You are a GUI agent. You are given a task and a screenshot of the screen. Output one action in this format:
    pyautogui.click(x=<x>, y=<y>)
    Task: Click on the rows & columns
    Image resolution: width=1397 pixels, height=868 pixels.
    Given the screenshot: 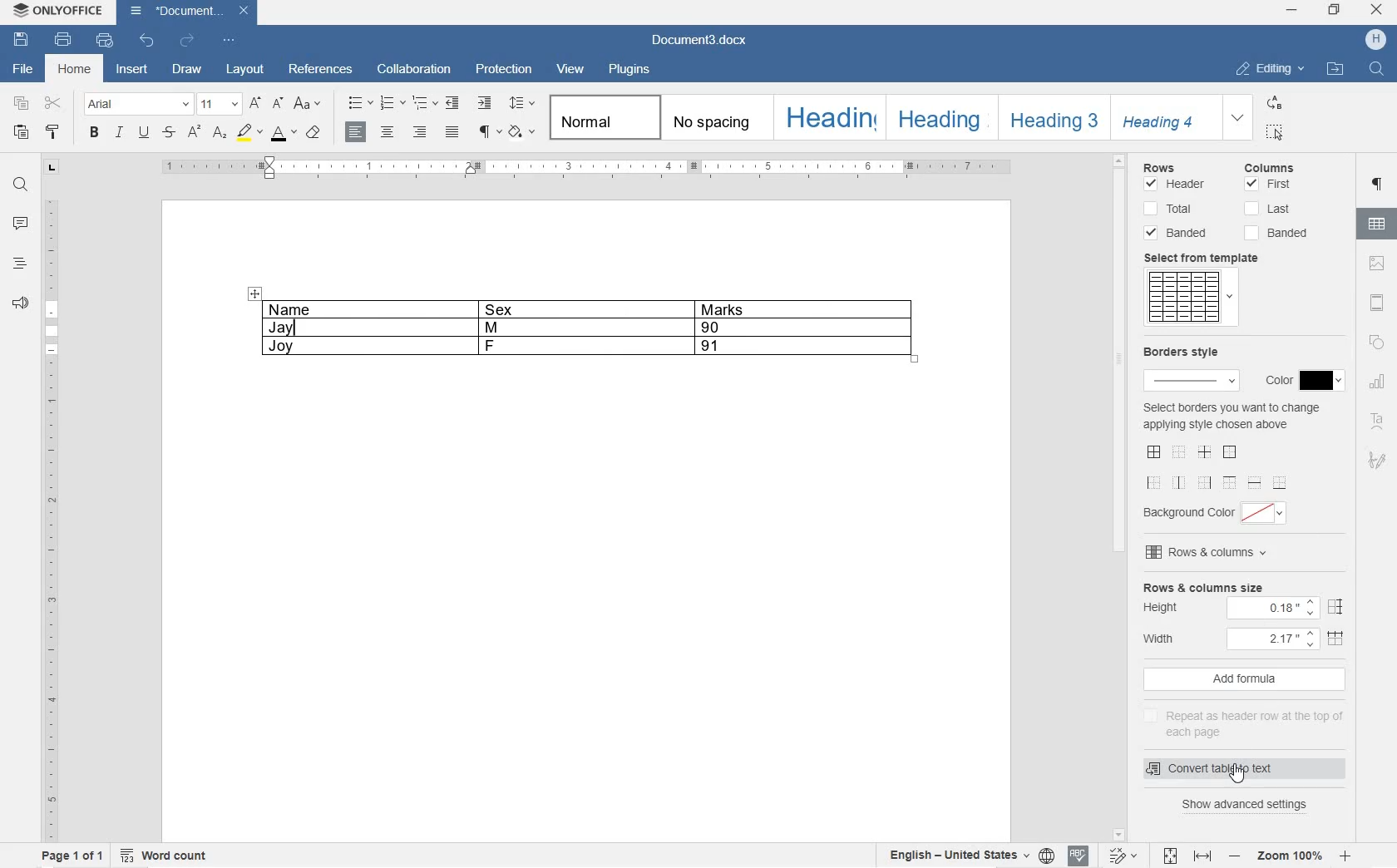 What is the action you would take?
    pyautogui.click(x=1208, y=553)
    